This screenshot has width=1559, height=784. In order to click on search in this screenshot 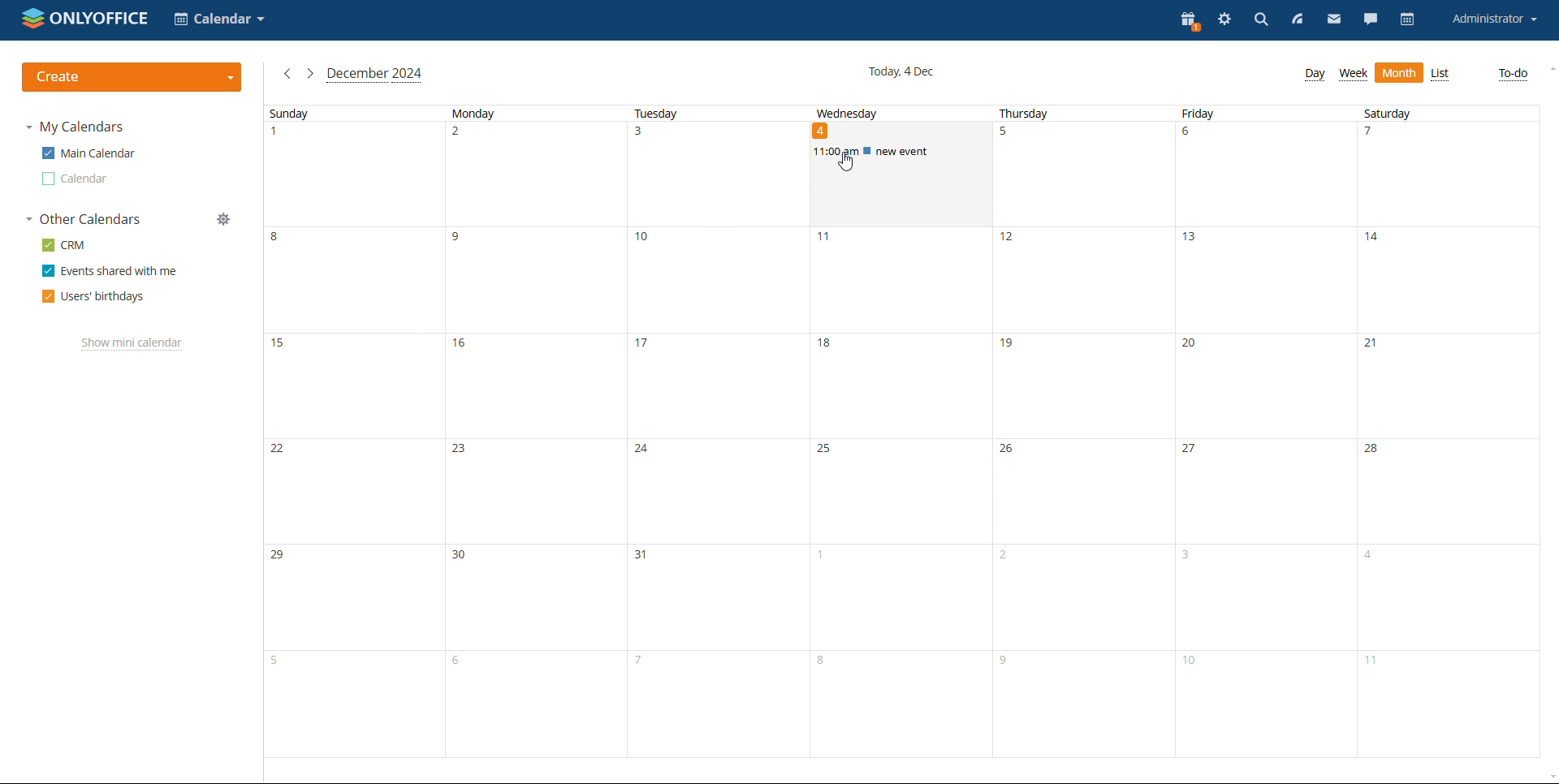, I will do `click(1260, 21)`.